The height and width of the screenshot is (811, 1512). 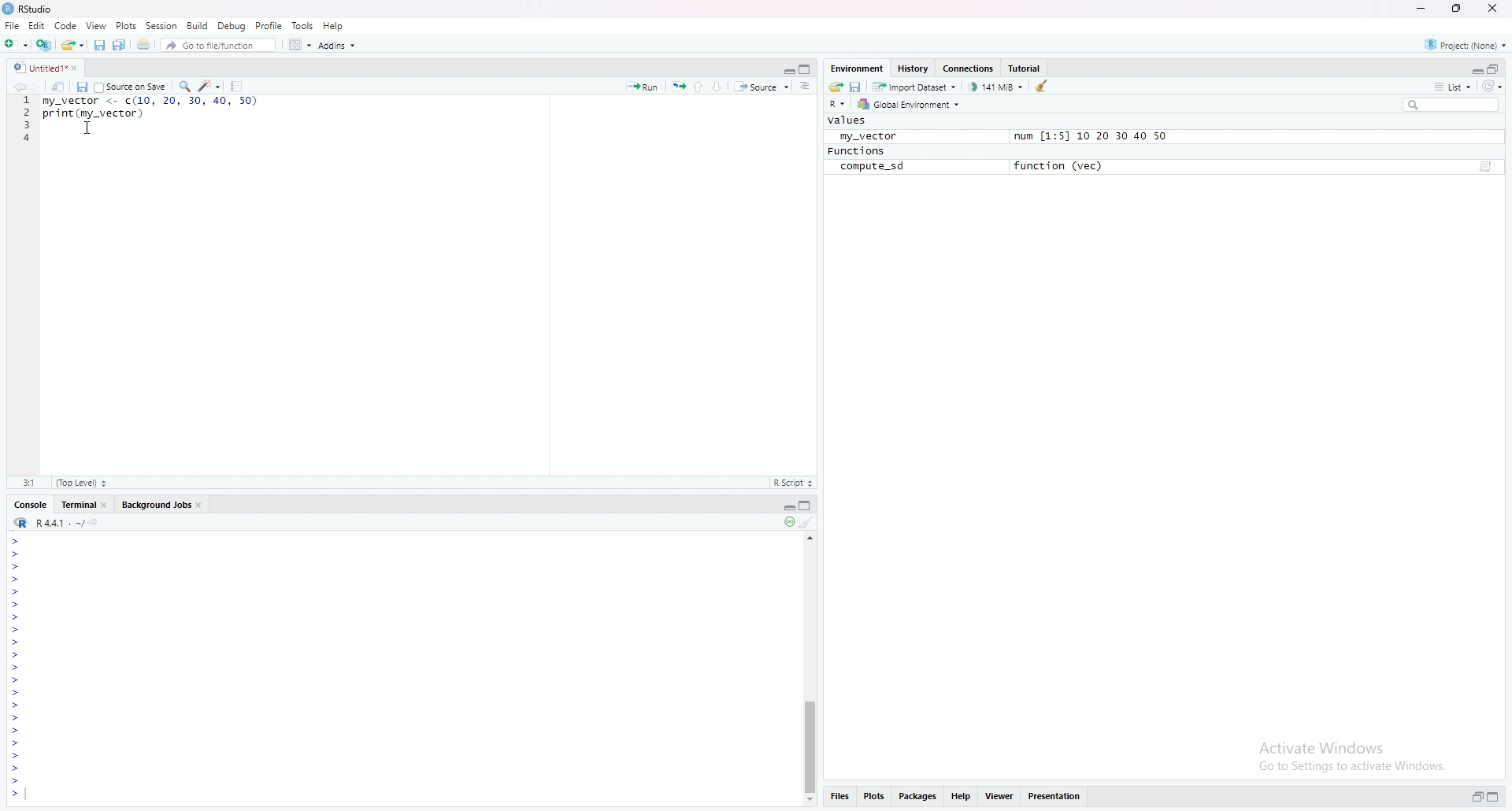 What do you see at coordinates (784, 69) in the screenshot?
I see `Minimize` at bounding box center [784, 69].